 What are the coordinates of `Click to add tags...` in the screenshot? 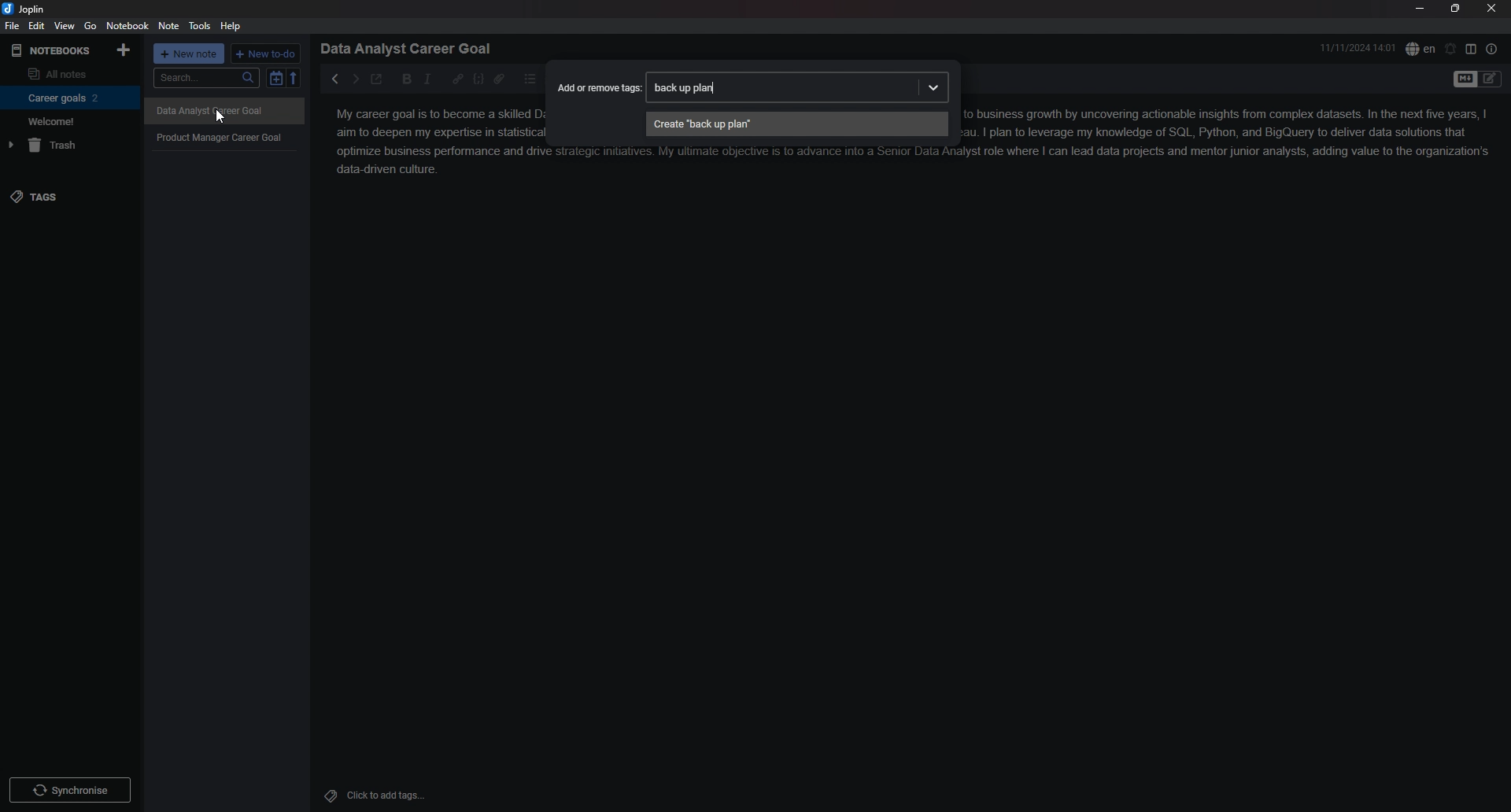 It's located at (386, 795).